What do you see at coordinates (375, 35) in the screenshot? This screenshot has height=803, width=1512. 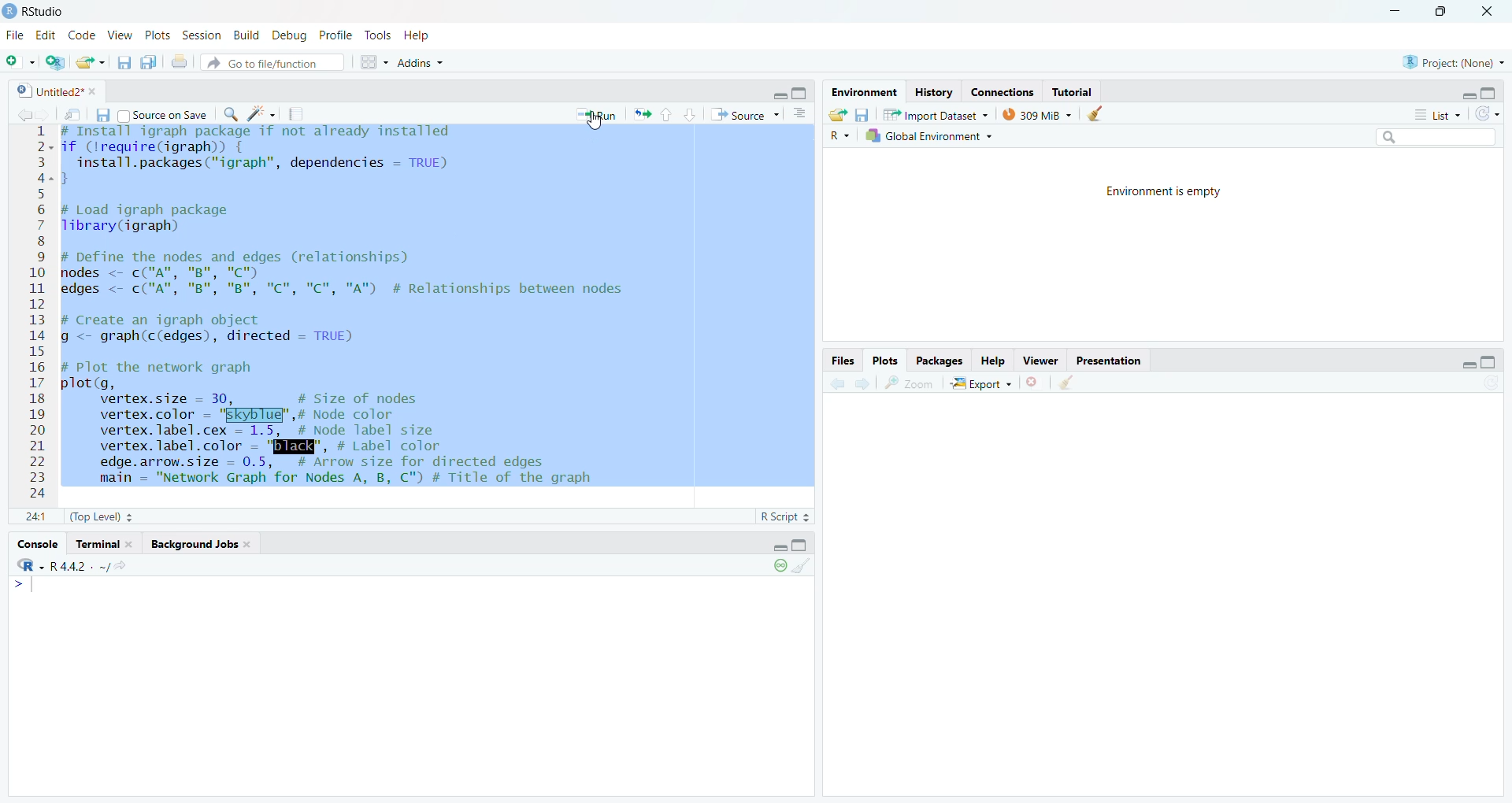 I see `Tools` at bounding box center [375, 35].